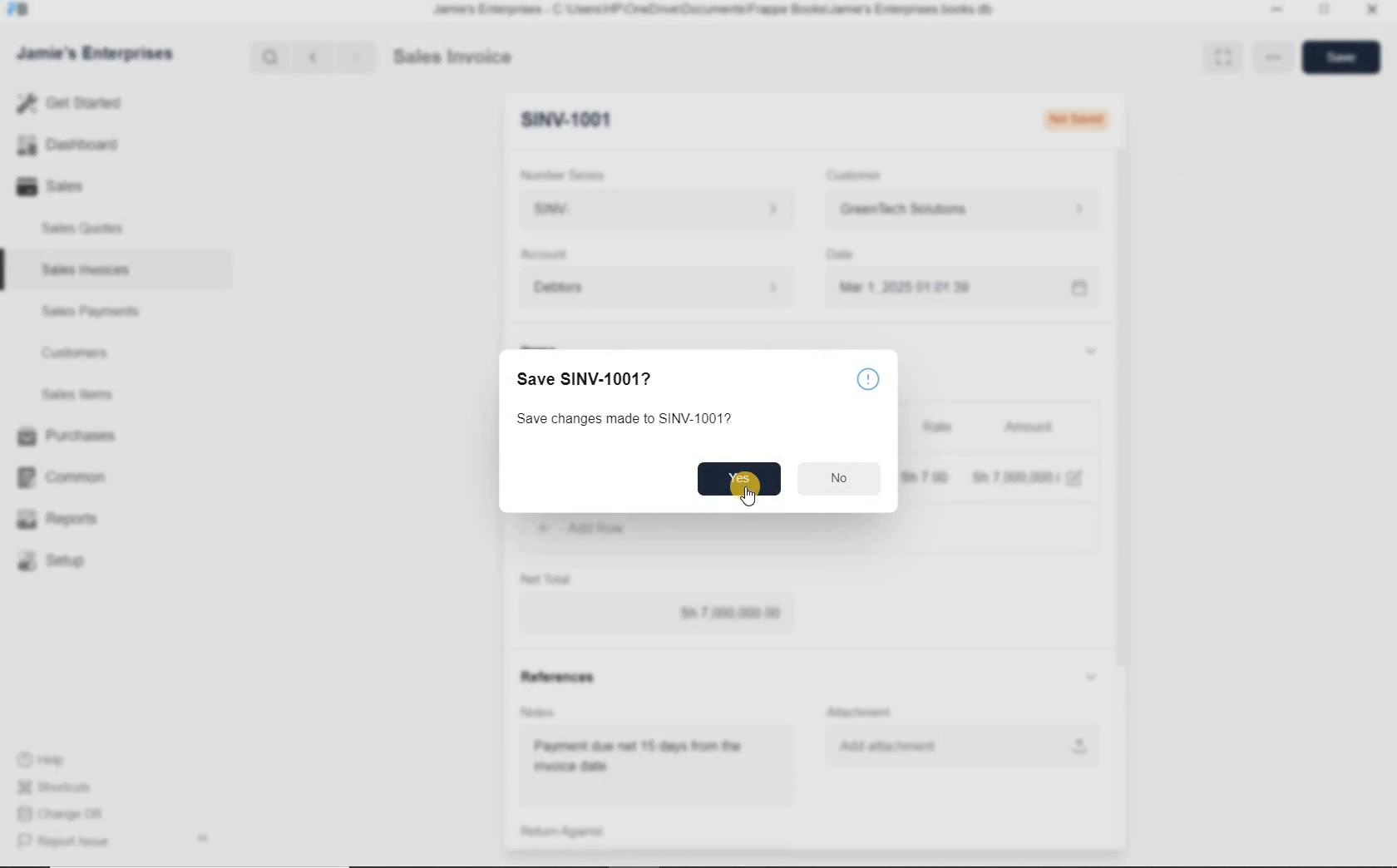  What do you see at coordinates (836, 476) in the screenshot?
I see `no` at bounding box center [836, 476].